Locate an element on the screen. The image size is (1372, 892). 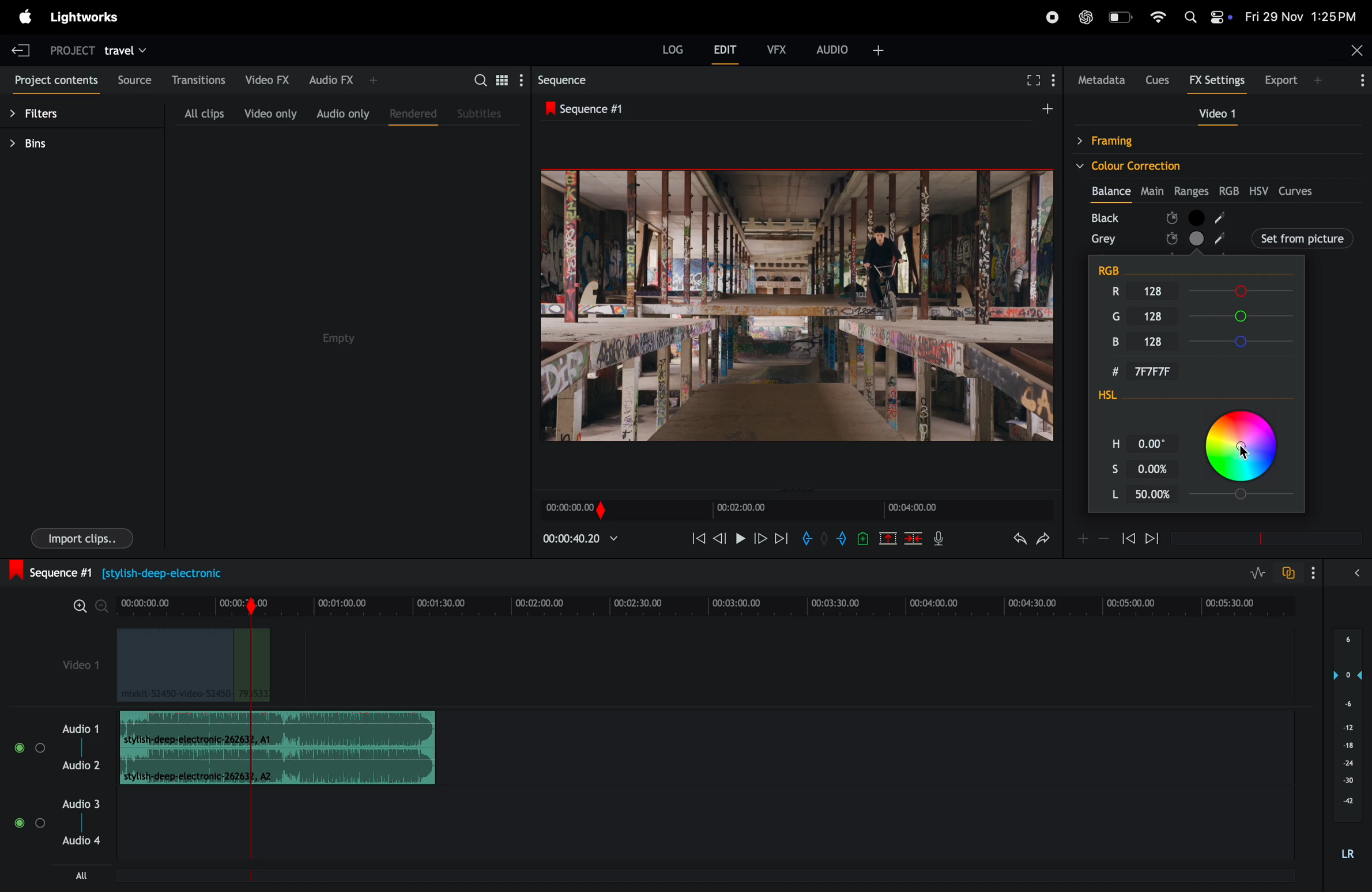
toggle is located at coordinates (18, 748).